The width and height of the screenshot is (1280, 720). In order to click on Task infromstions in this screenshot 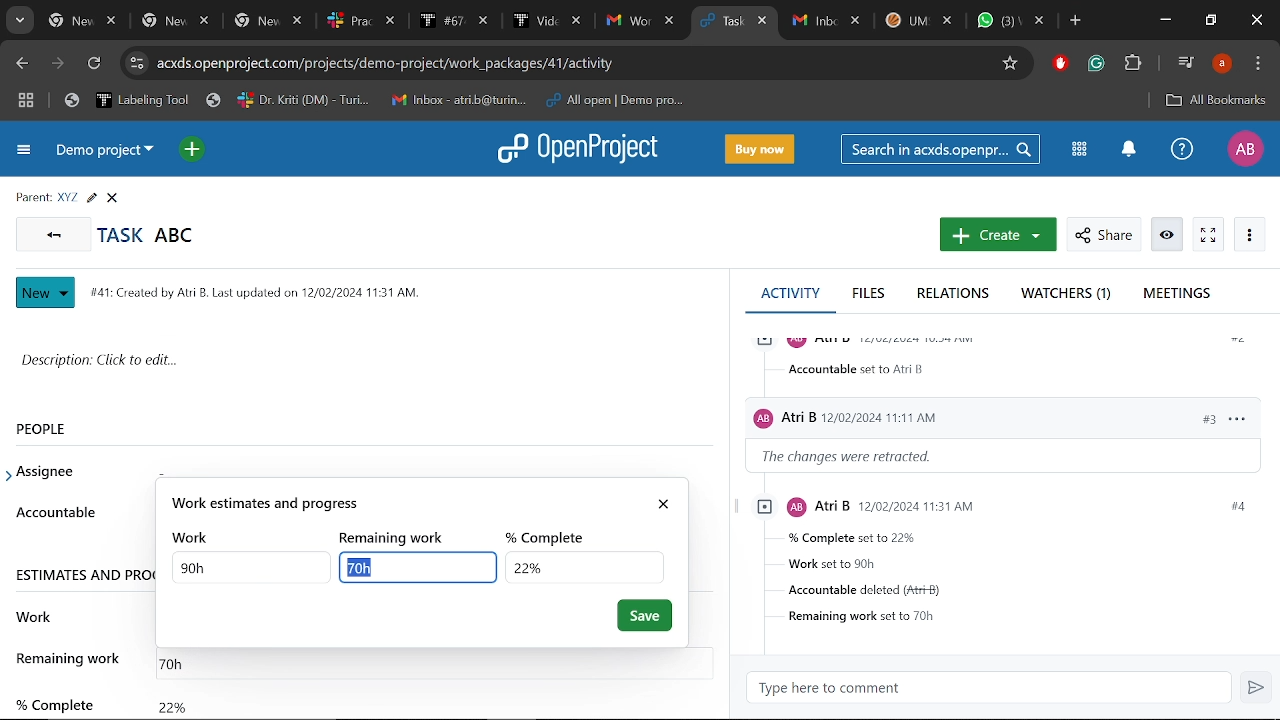, I will do `click(1005, 561)`.